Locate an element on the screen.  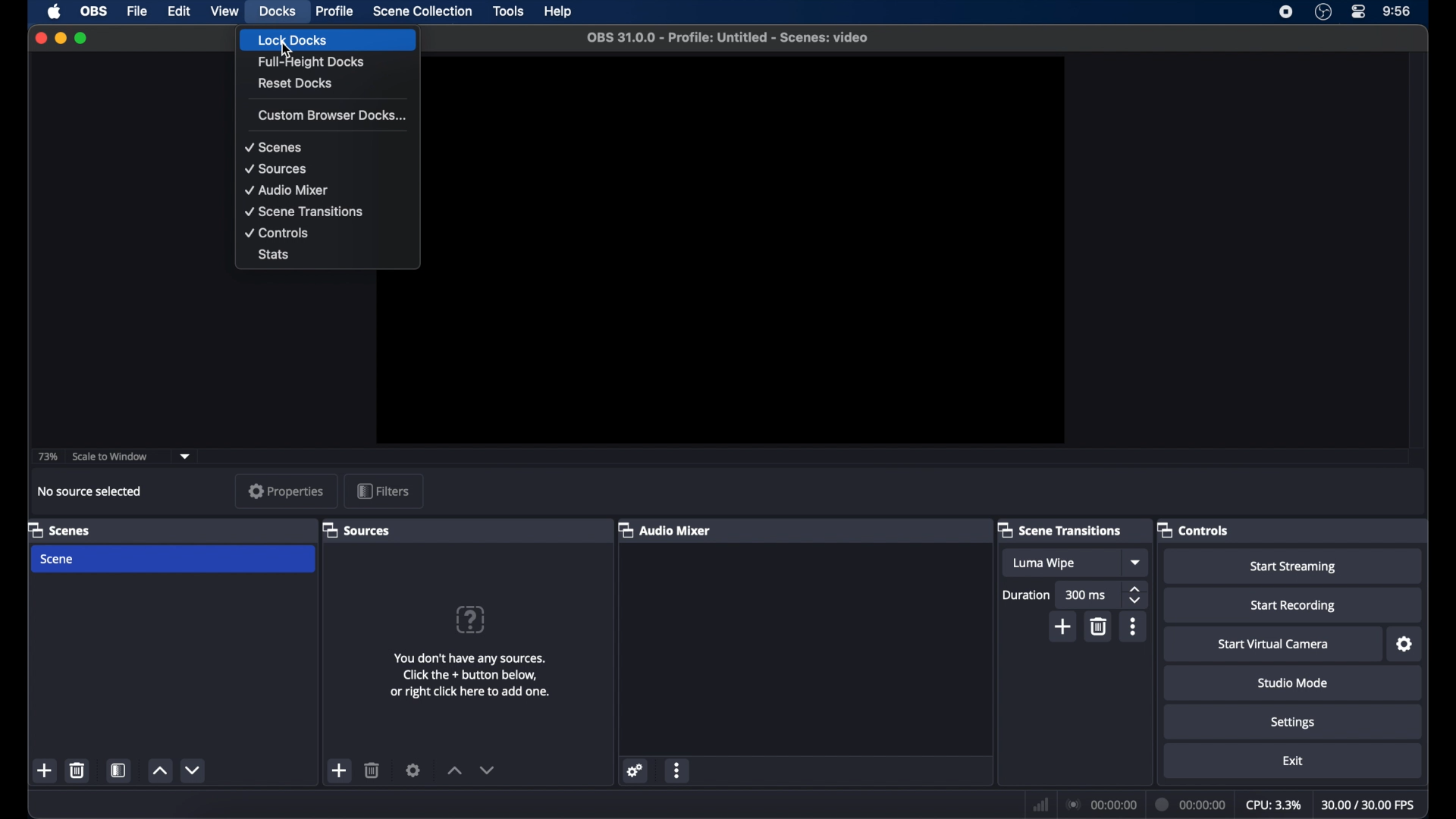
controls is located at coordinates (1197, 529).